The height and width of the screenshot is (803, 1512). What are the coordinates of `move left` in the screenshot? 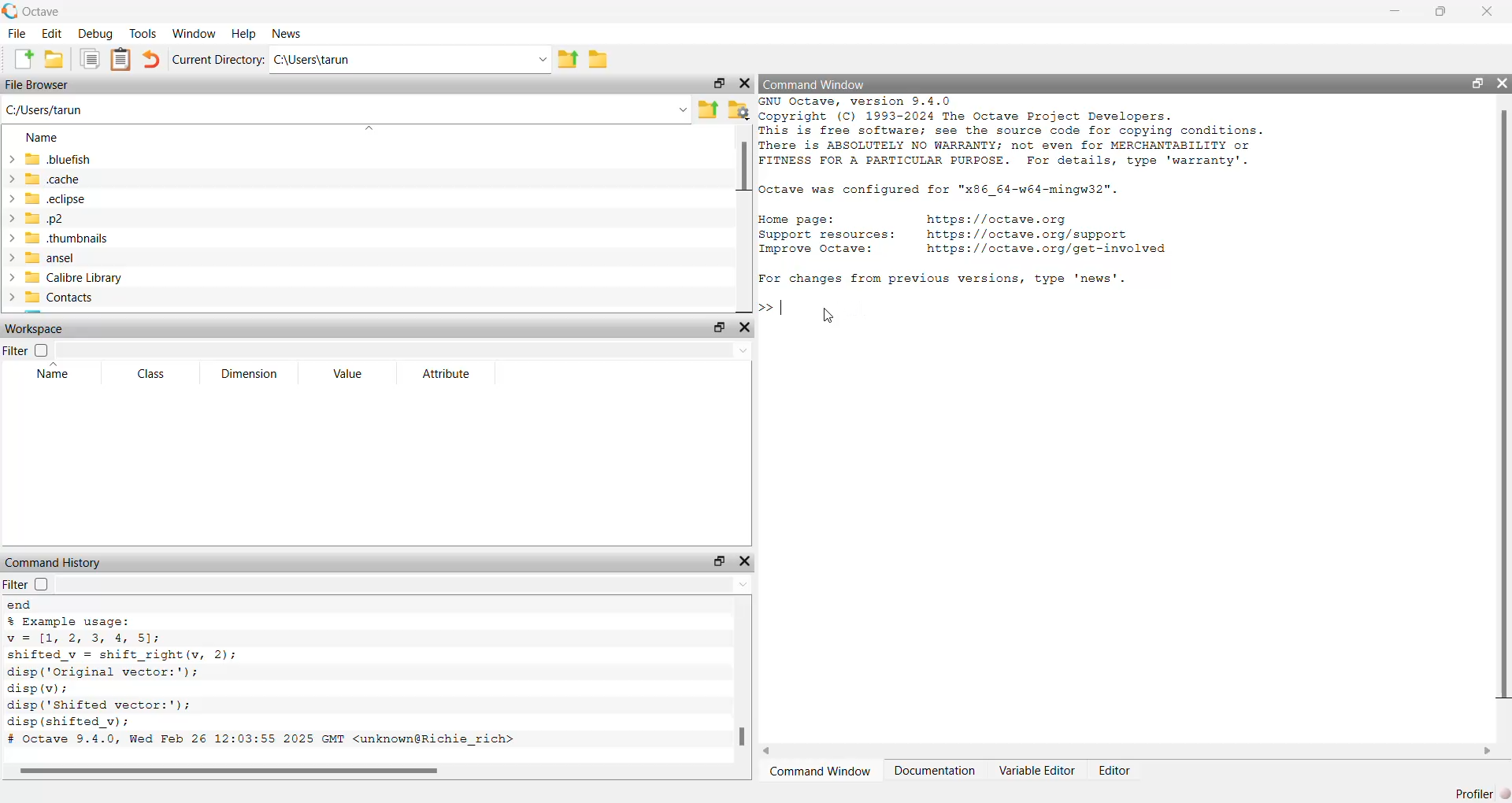 It's located at (775, 749).